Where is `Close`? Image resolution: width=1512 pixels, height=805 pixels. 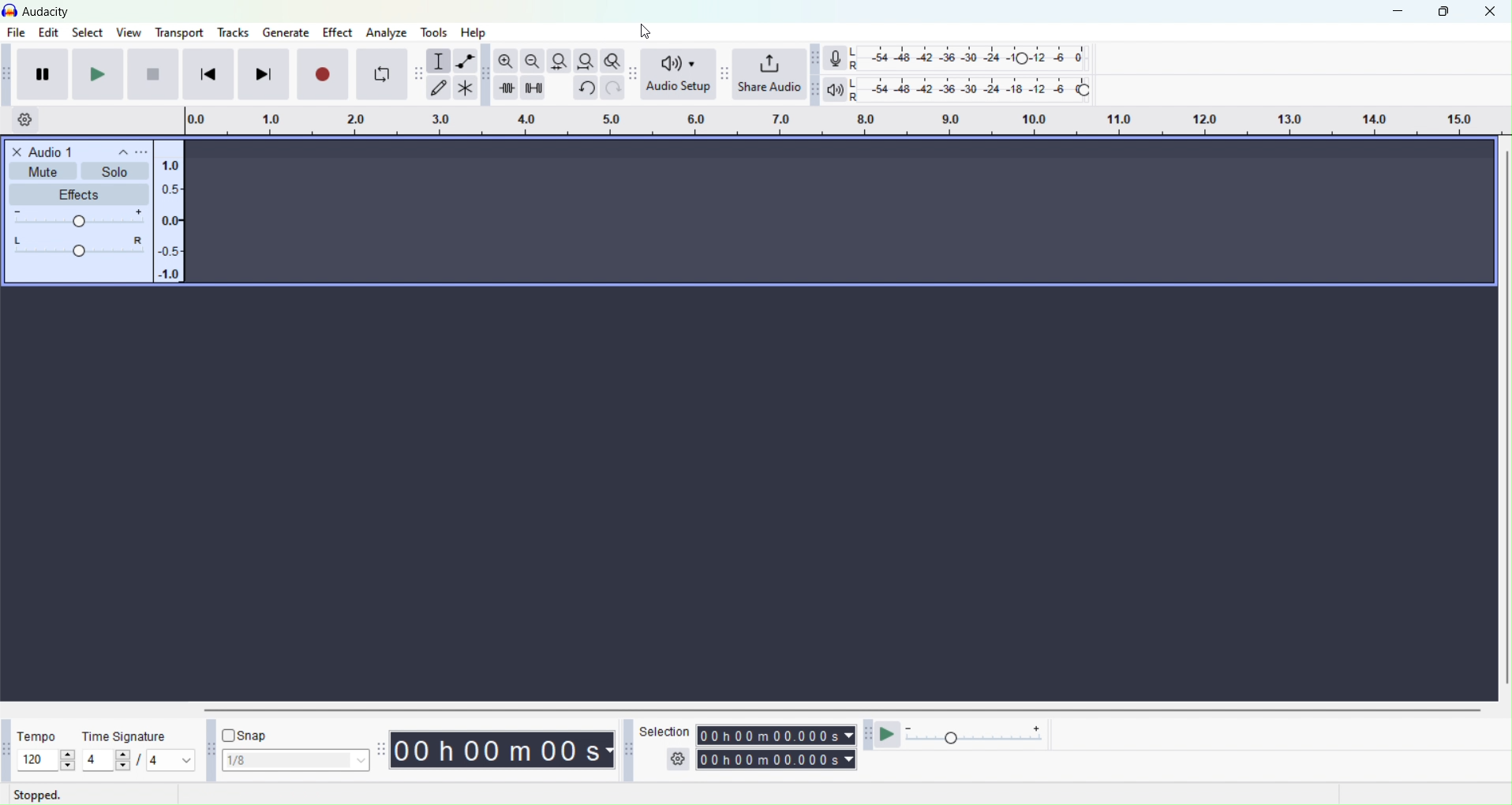 Close is located at coordinates (1493, 12).